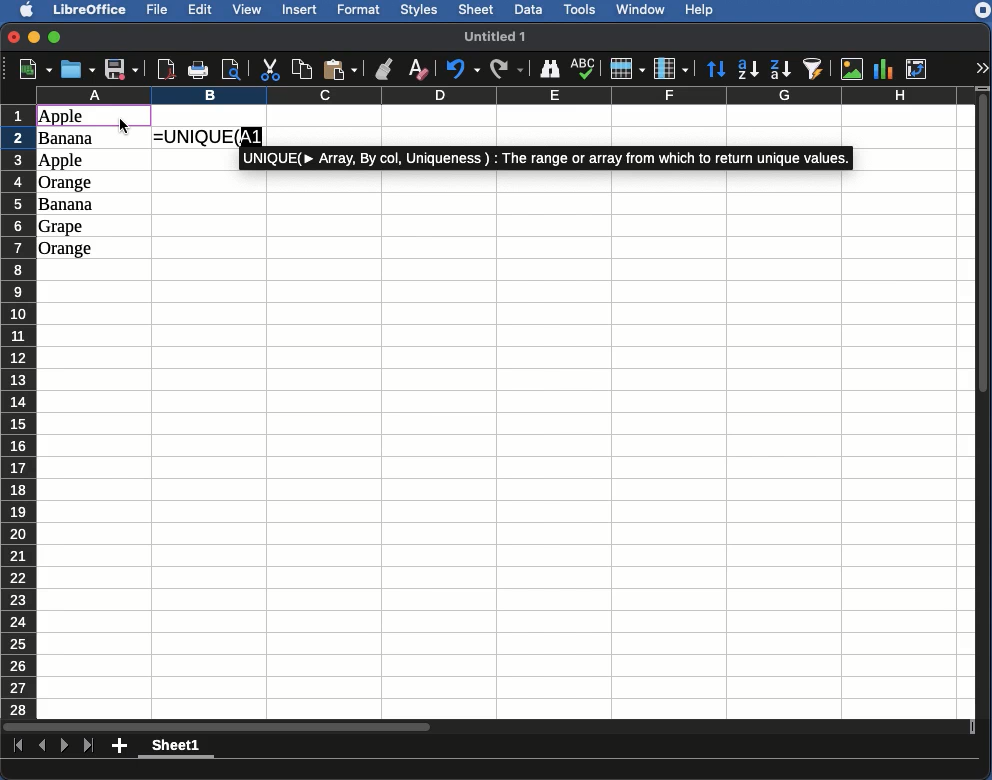  What do you see at coordinates (167, 68) in the screenshot?
I see `Export directly as PDF` at bounding box center [167, 68].